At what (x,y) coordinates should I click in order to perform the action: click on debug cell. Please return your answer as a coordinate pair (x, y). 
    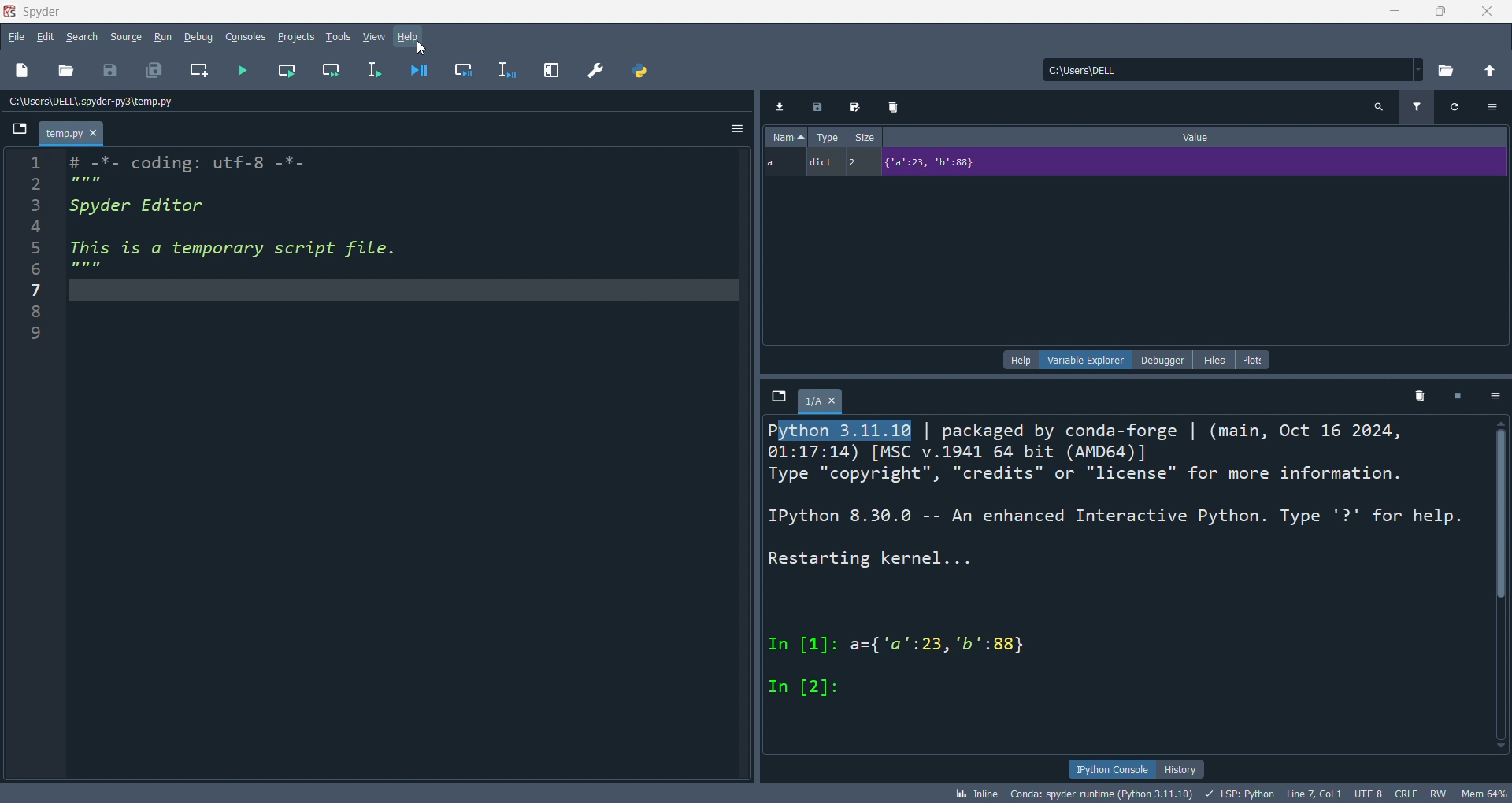
    Looking at the image, I should click on (462, 69).